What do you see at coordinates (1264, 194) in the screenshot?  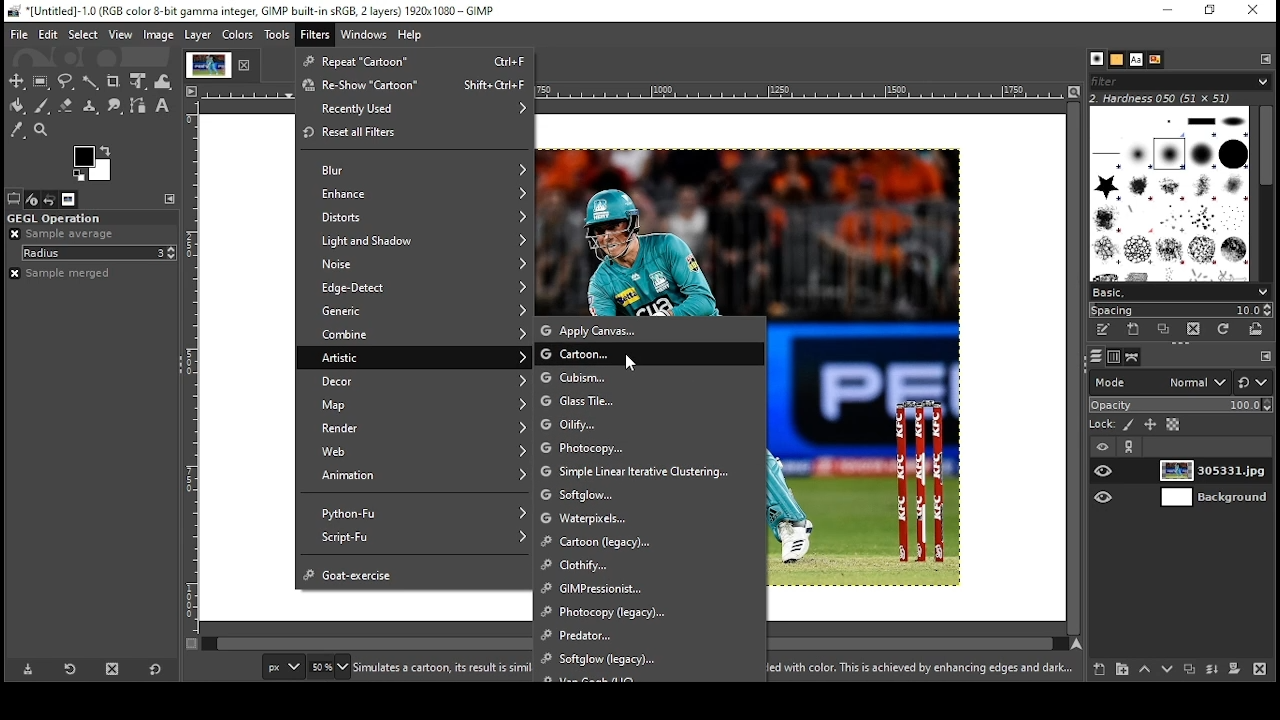 I see `scroll bar` at bounding box center [1264, 194].